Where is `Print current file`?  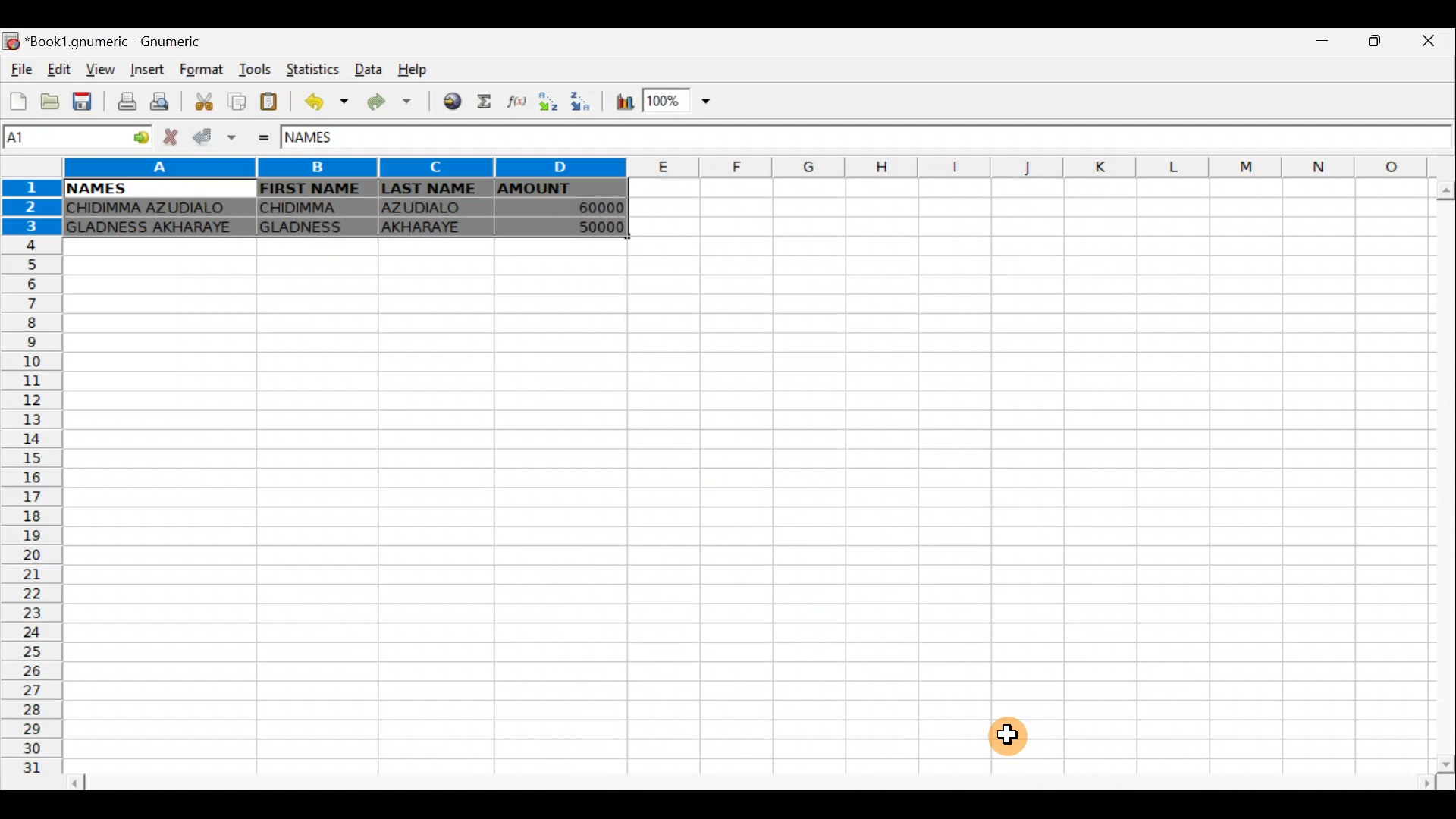
Print current file is located at coordinates (128, 99).